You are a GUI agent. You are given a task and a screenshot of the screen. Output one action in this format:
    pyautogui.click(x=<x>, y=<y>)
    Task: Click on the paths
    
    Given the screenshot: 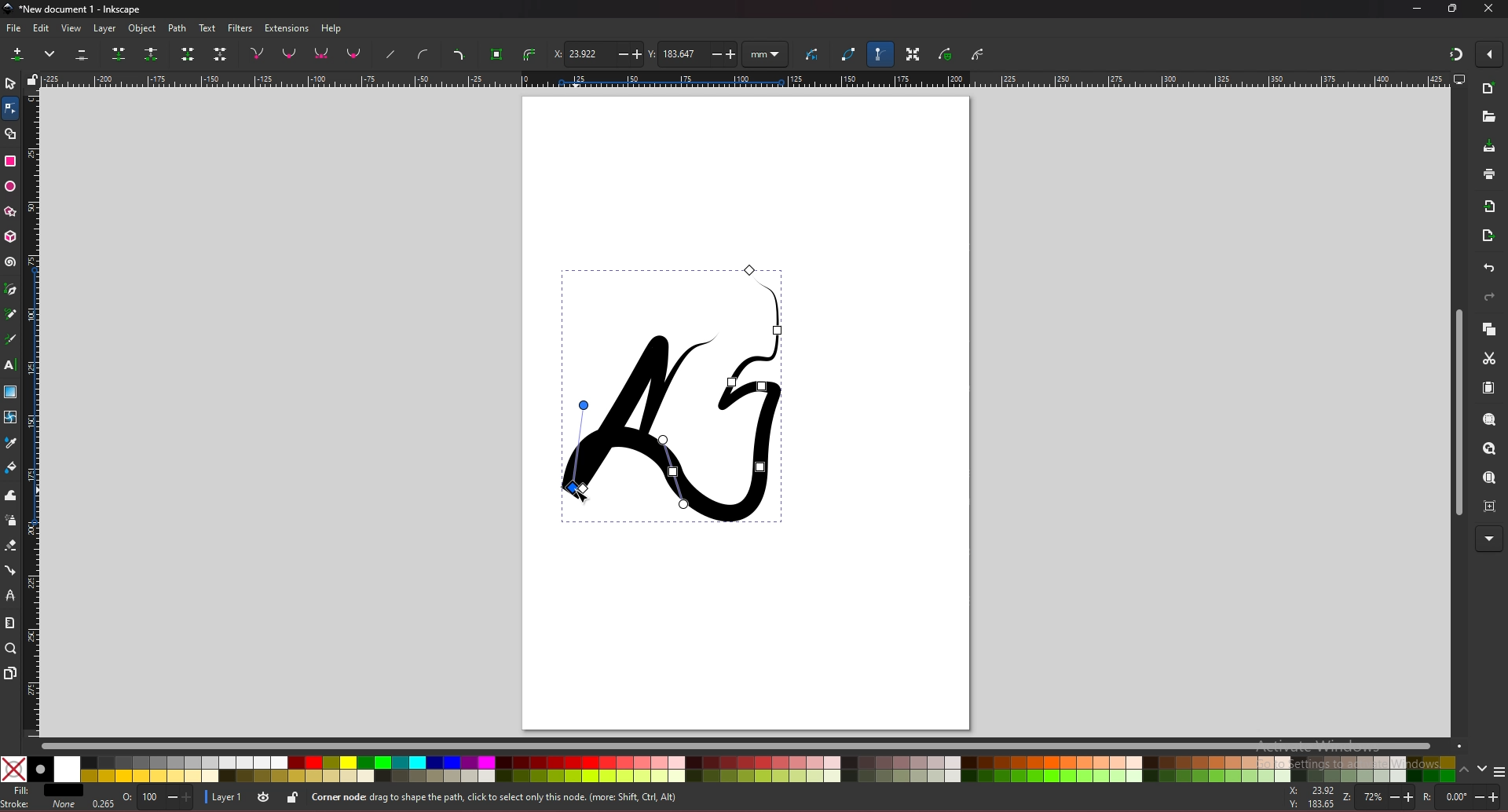 What is the action you would take?
    pyautogui.click(x=666, y=393)
    